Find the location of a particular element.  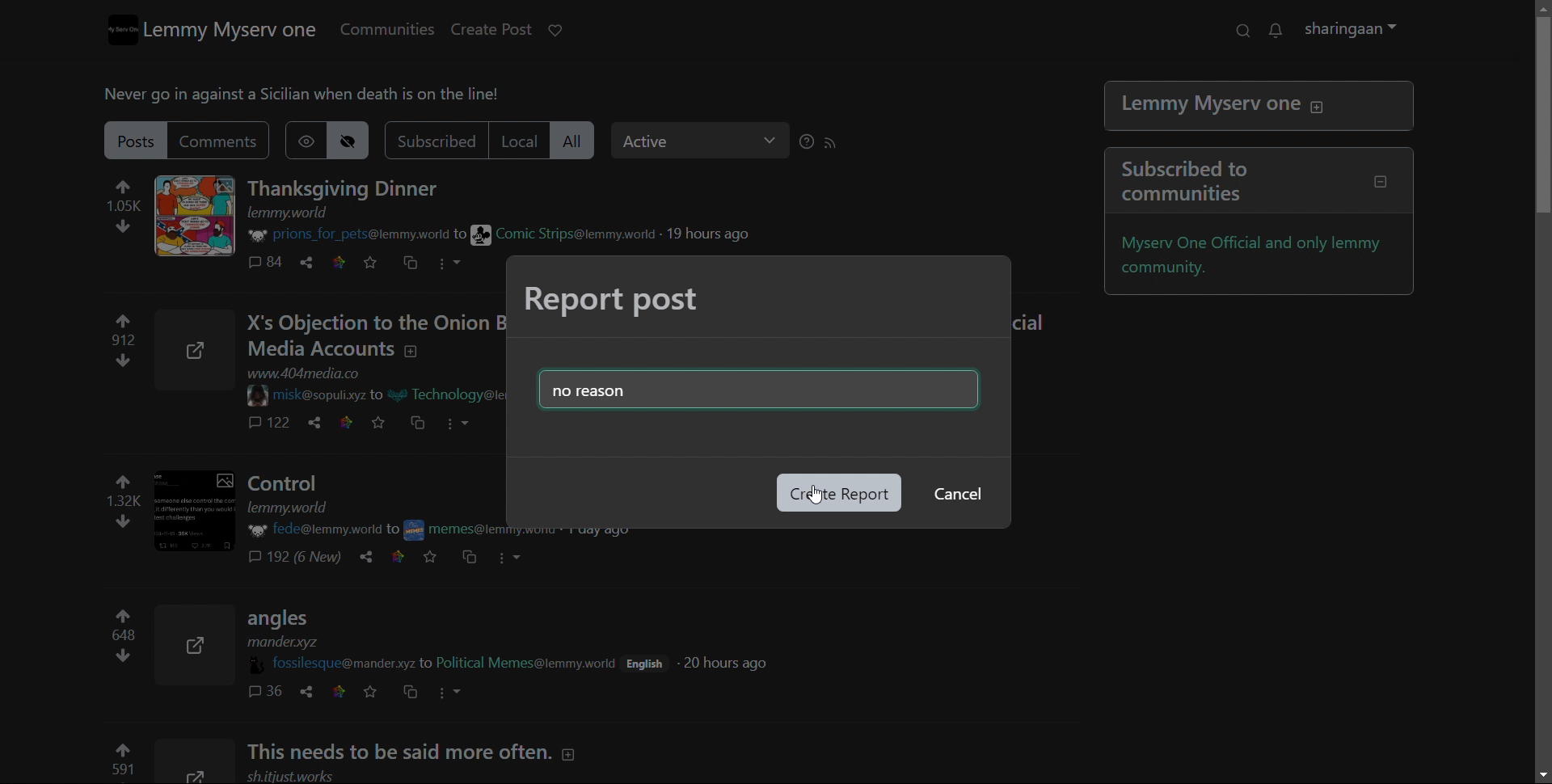

username is located at coordinates (315, 529).